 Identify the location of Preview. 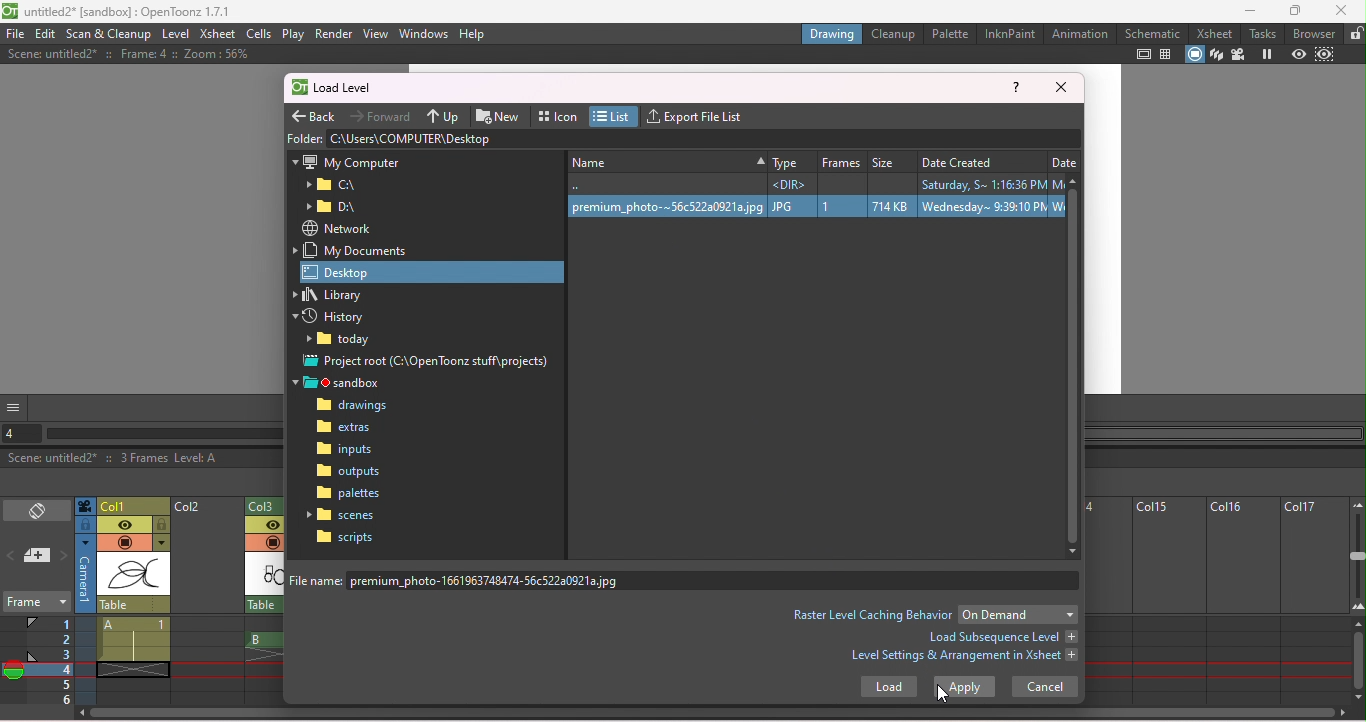
(1298, 55).